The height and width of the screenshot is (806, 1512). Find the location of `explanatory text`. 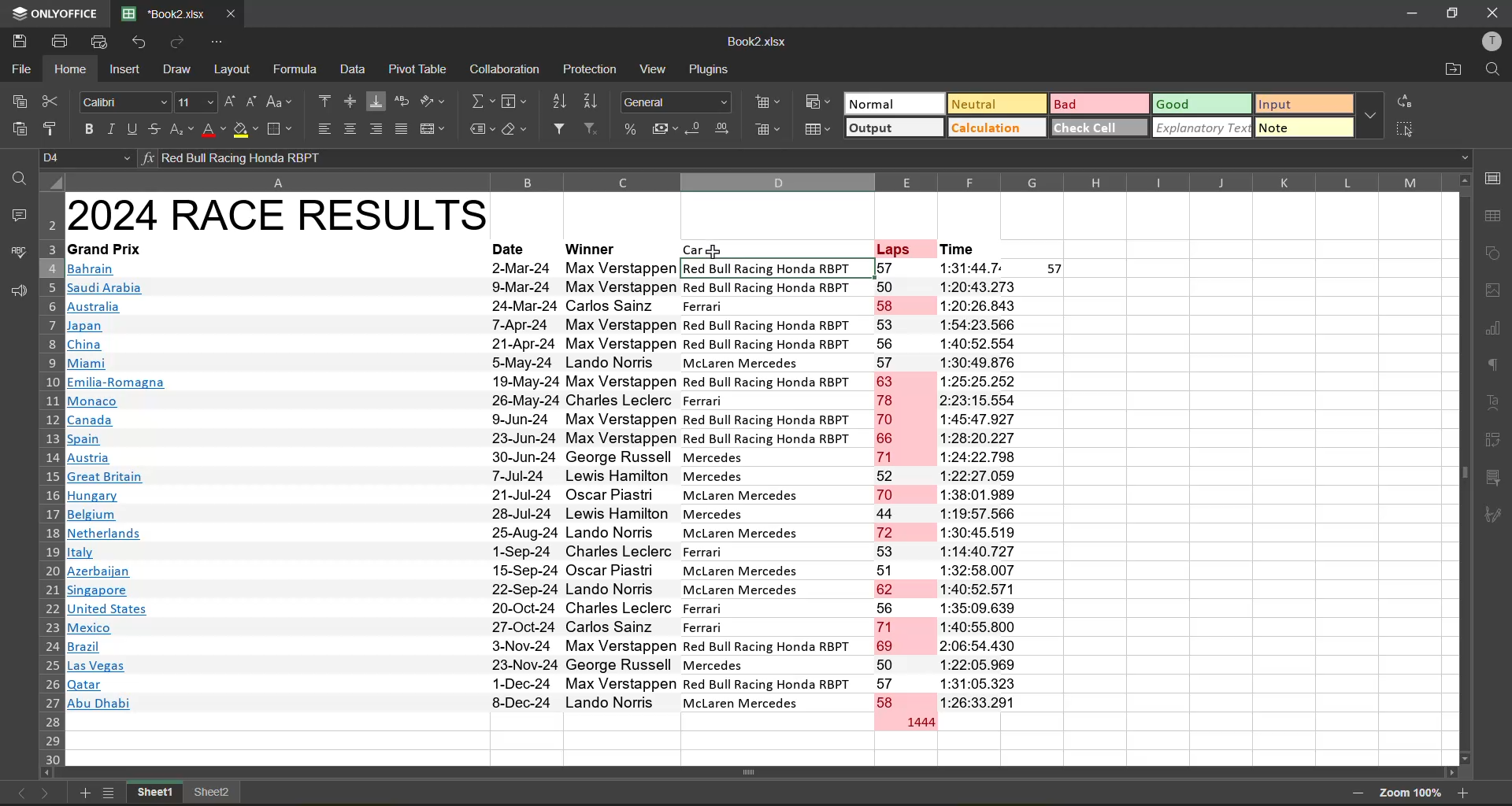

explanatory text is located at coordinates (1203, 130).